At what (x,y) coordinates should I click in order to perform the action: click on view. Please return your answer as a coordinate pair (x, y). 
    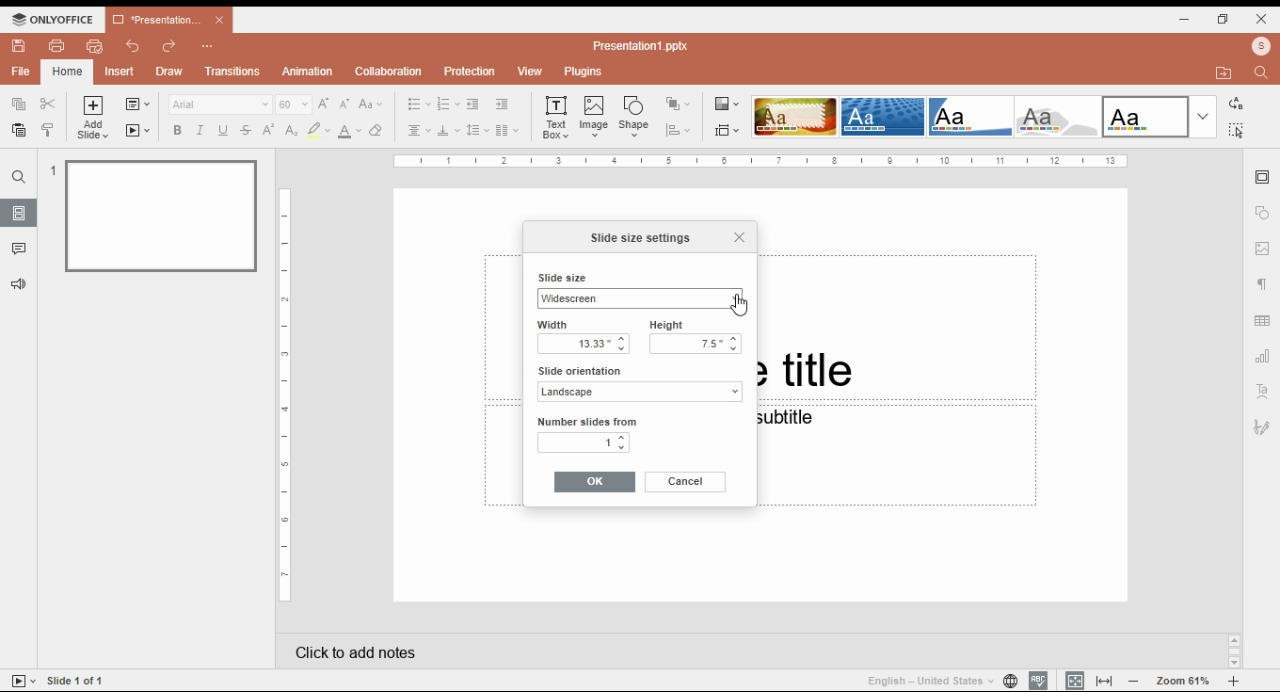
    Looking at the image, I should click on (529, 72).